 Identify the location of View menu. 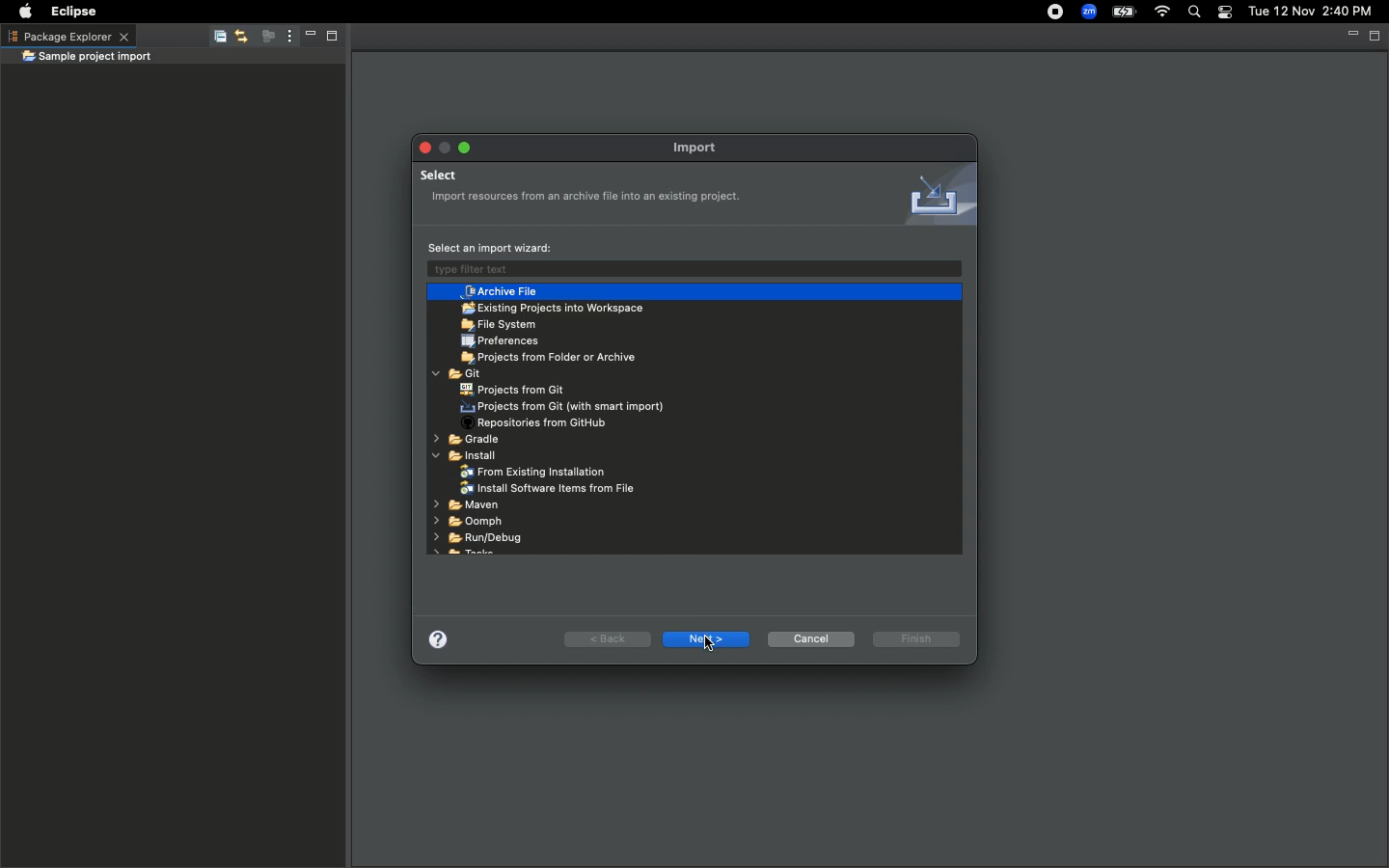
(286, 37).